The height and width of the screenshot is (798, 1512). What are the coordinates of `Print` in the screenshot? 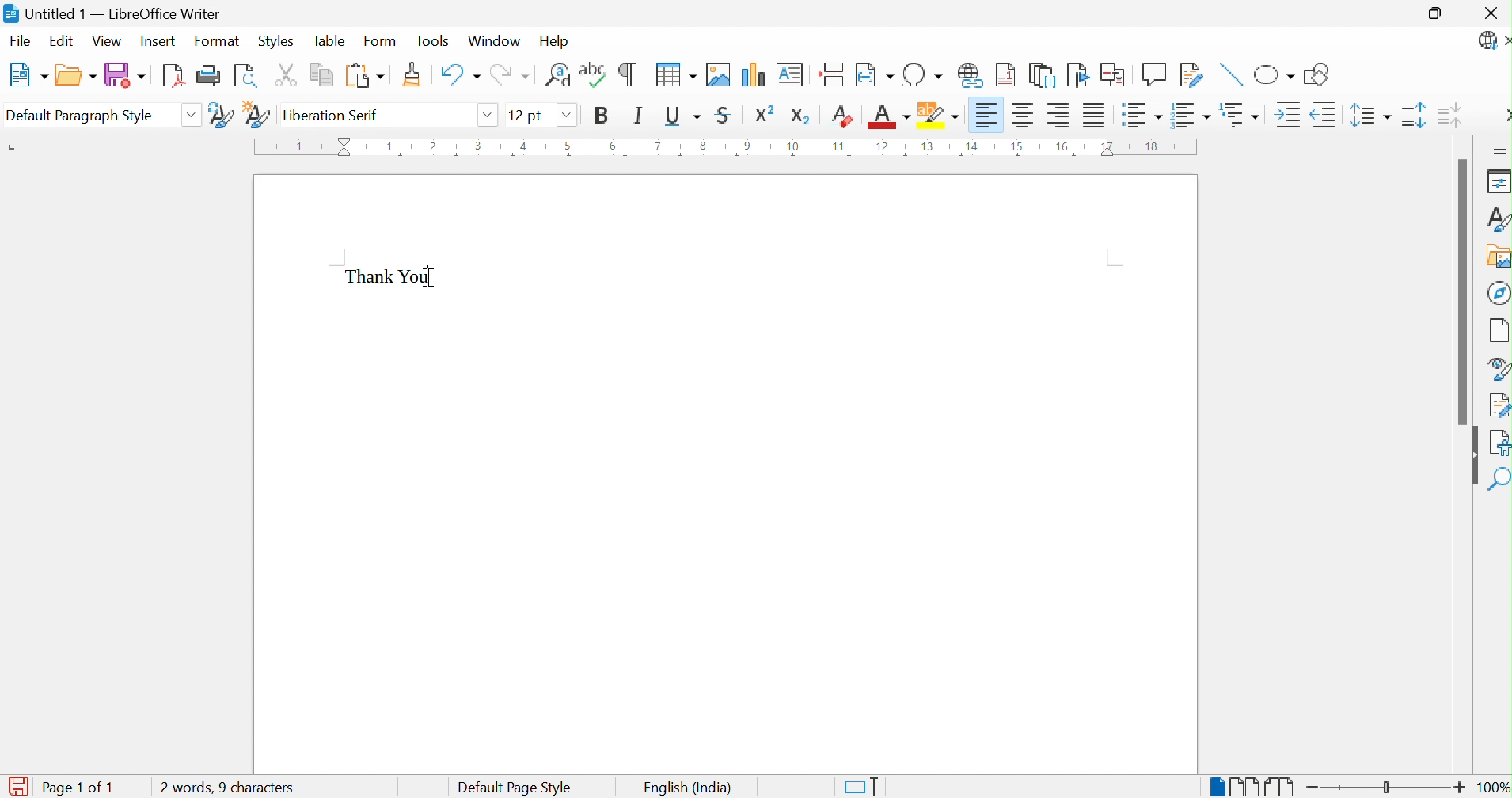 It's located at (208, 75).